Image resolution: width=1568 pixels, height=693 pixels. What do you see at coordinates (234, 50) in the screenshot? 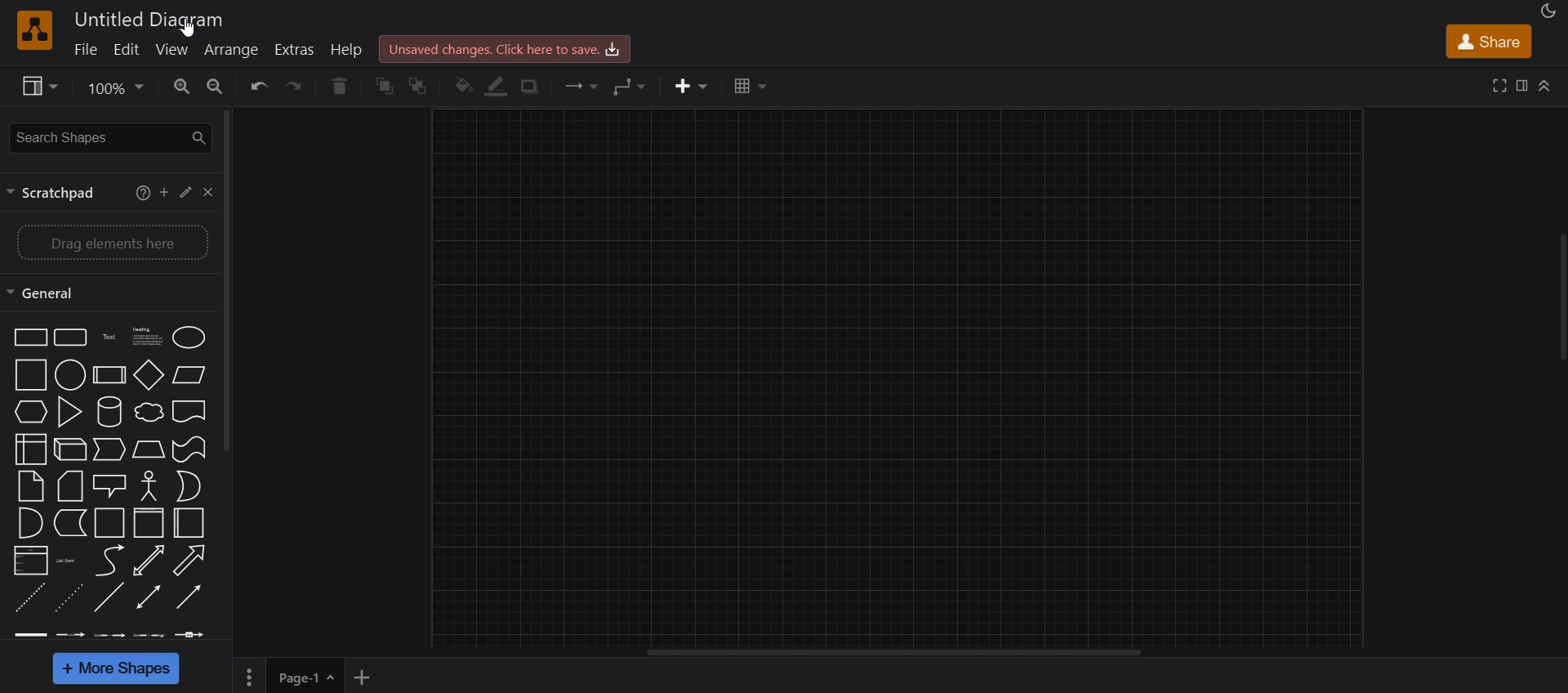
I see `arrange` at bounding box center [234, 50].